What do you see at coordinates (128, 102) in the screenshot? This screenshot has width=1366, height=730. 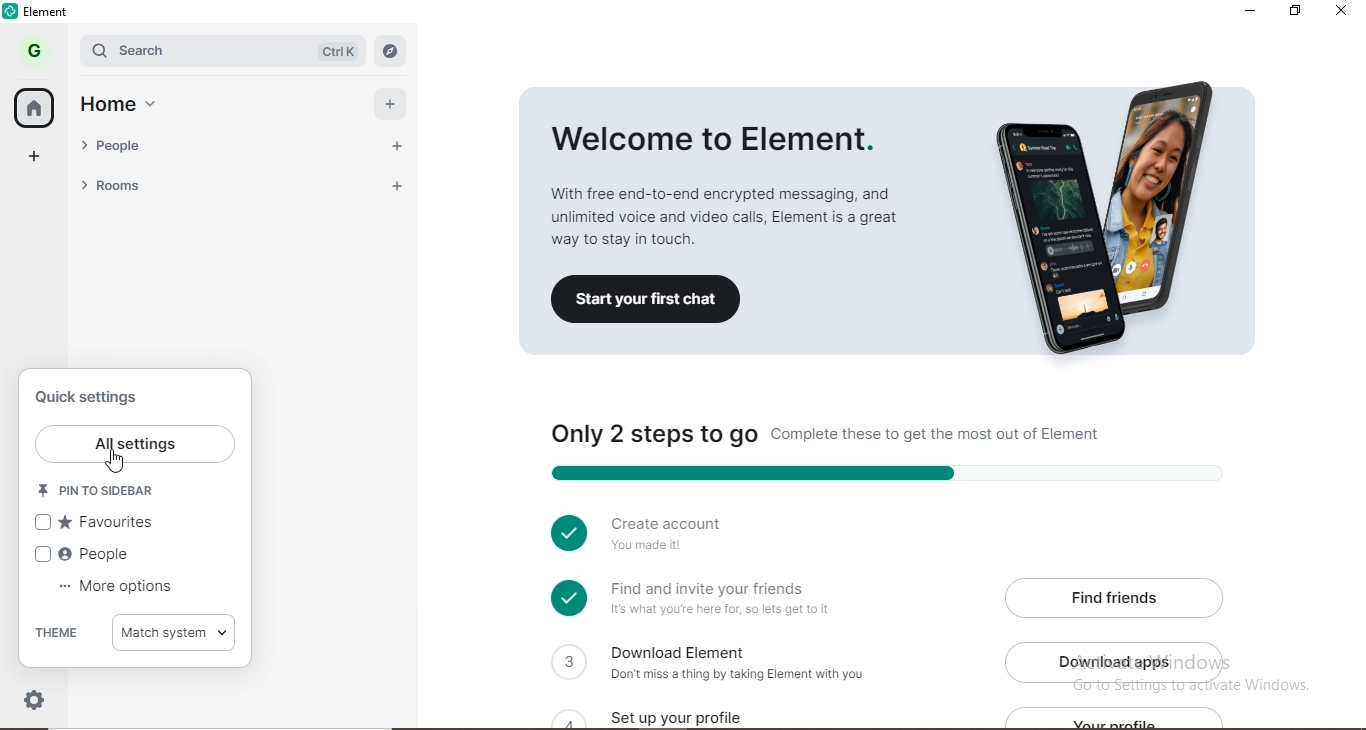 I see `Home` at bounding box center [128, 102].